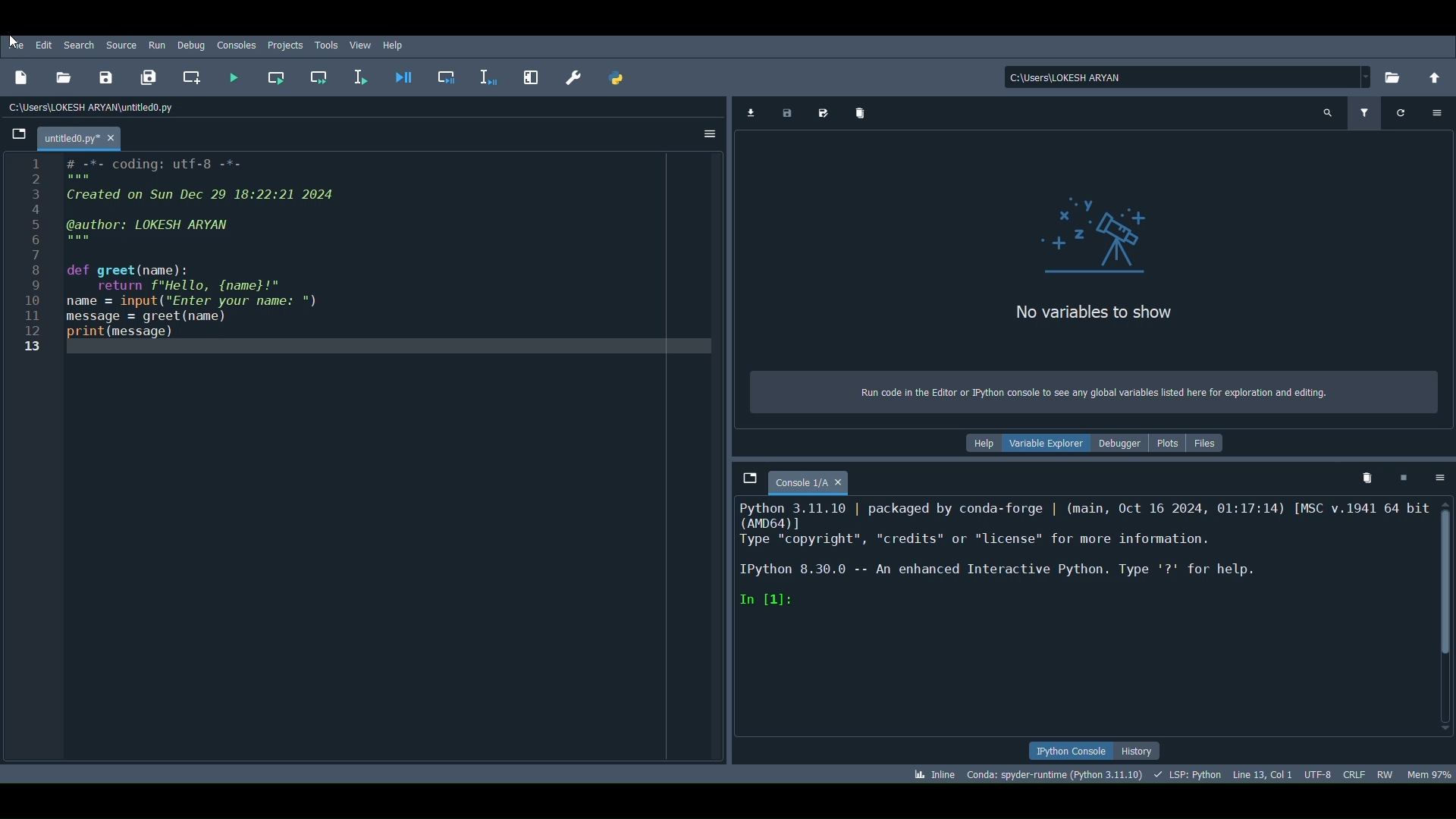  What do you see at coordinates (1054, 773) in the screenshot?
I see `Version` at bounding box center [1054, 773].